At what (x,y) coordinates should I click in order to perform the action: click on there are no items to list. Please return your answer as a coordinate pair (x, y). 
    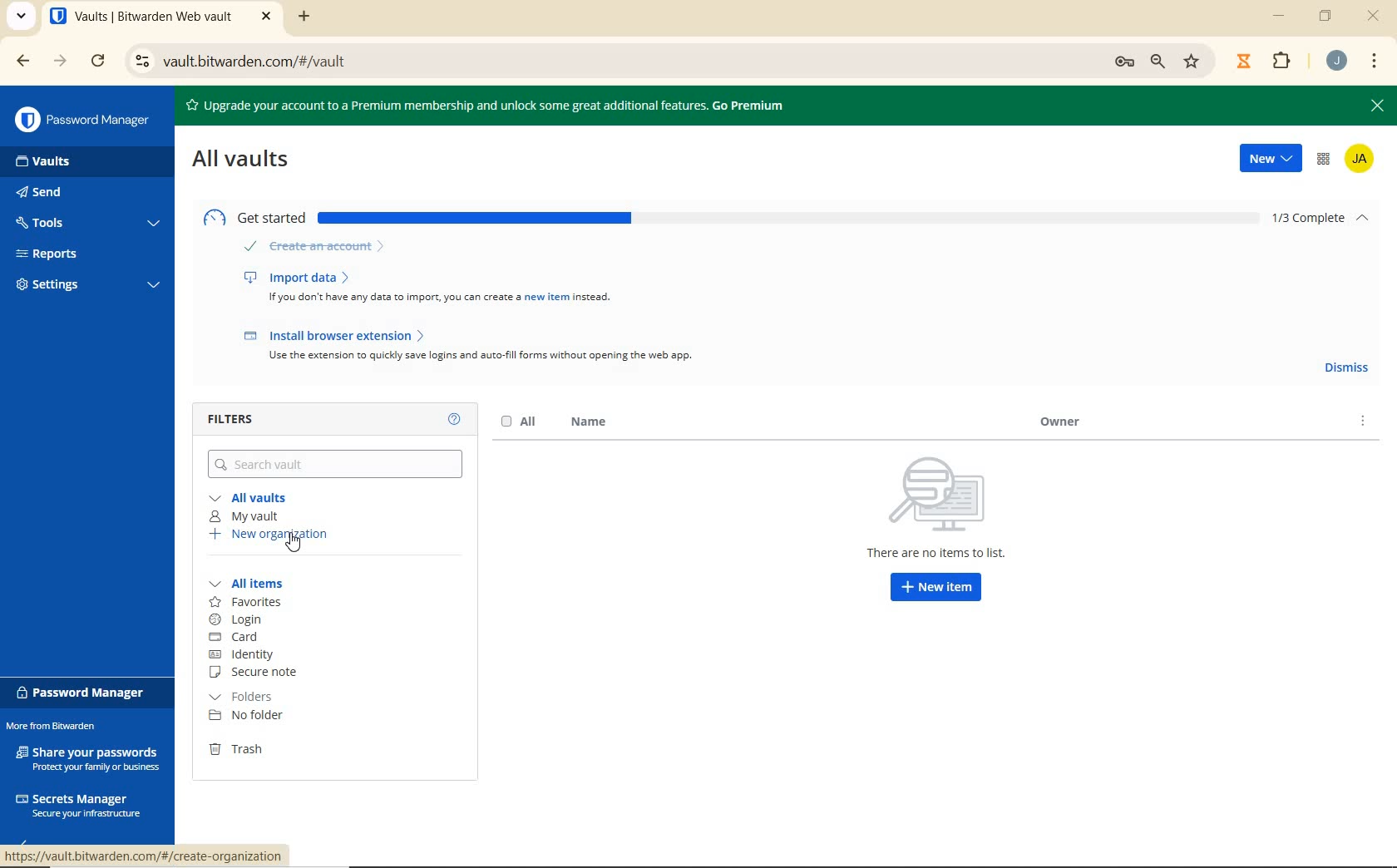
    Looking at the image, I should click on (940, 508).